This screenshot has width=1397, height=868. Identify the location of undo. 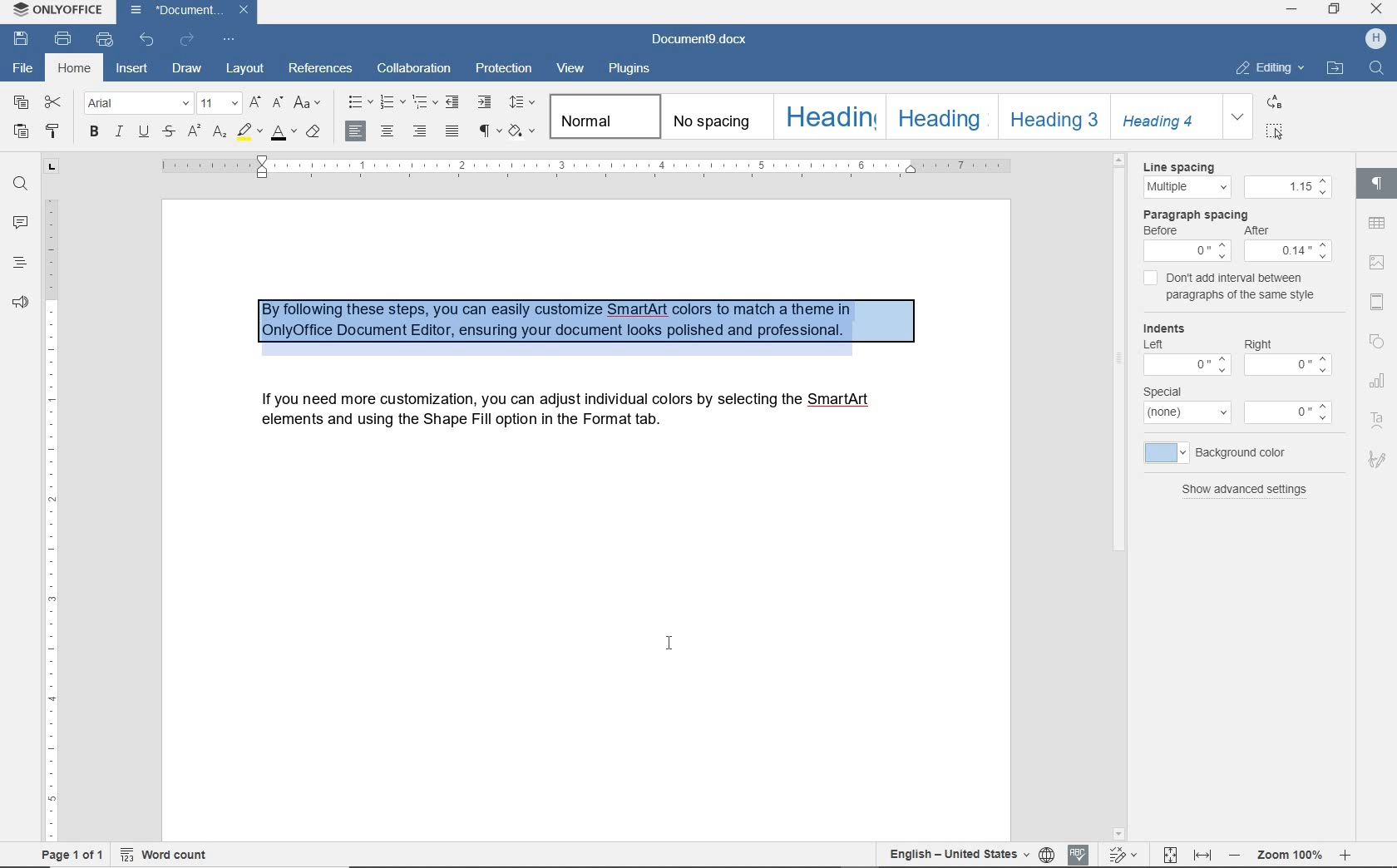
(146, 42).